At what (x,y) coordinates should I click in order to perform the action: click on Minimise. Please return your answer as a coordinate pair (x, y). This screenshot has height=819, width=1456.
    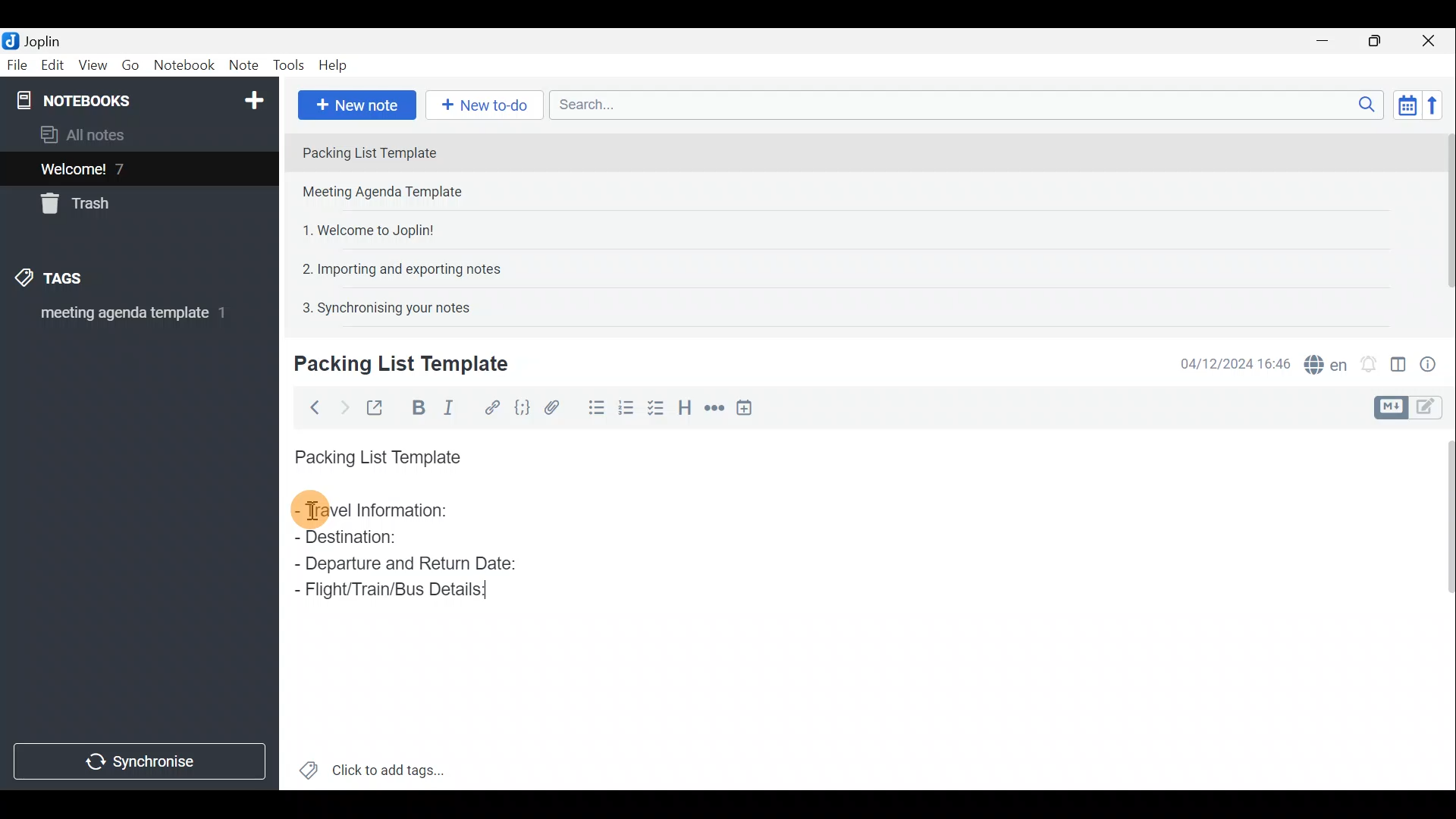
    Looking at the image, I should click on (1330, 43).